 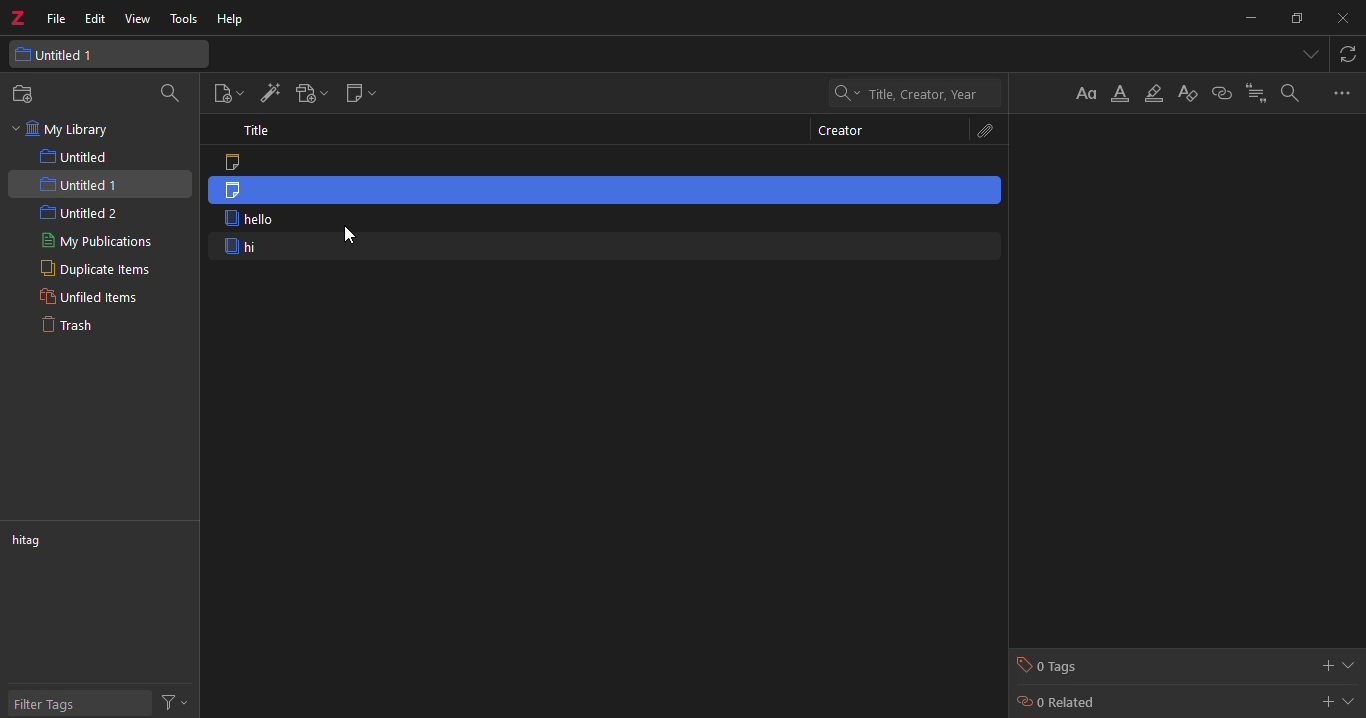 What do you see at coordinates (1321, 700) in the screenshot?
I see `add` at bounding box center [1321, 700].